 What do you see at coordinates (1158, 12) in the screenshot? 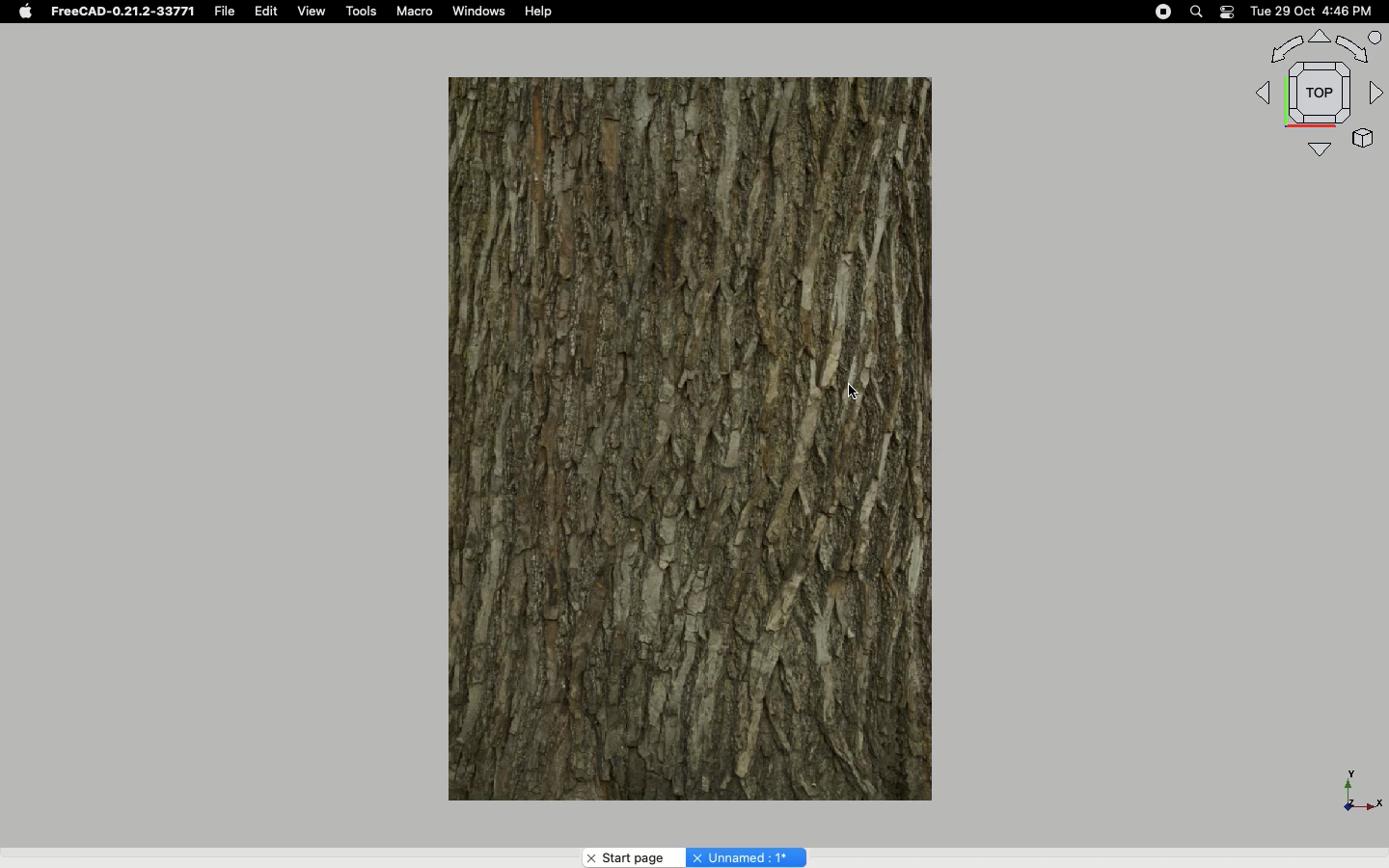
I see `Record` at bounding box center [1158, 12].